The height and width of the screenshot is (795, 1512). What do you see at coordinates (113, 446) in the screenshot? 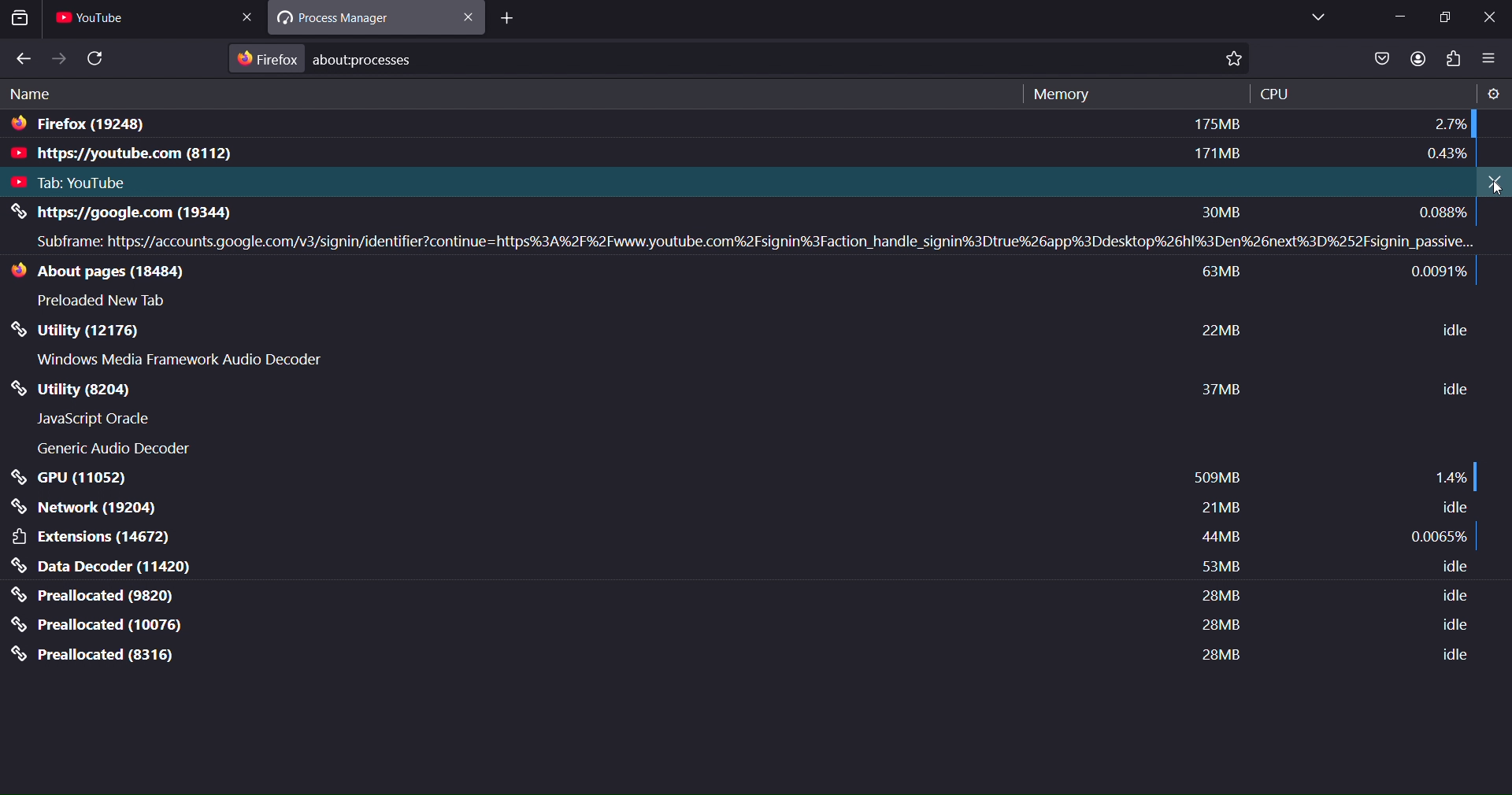
I see `Generic Audio Decoder` at bounding box center [113, 446].